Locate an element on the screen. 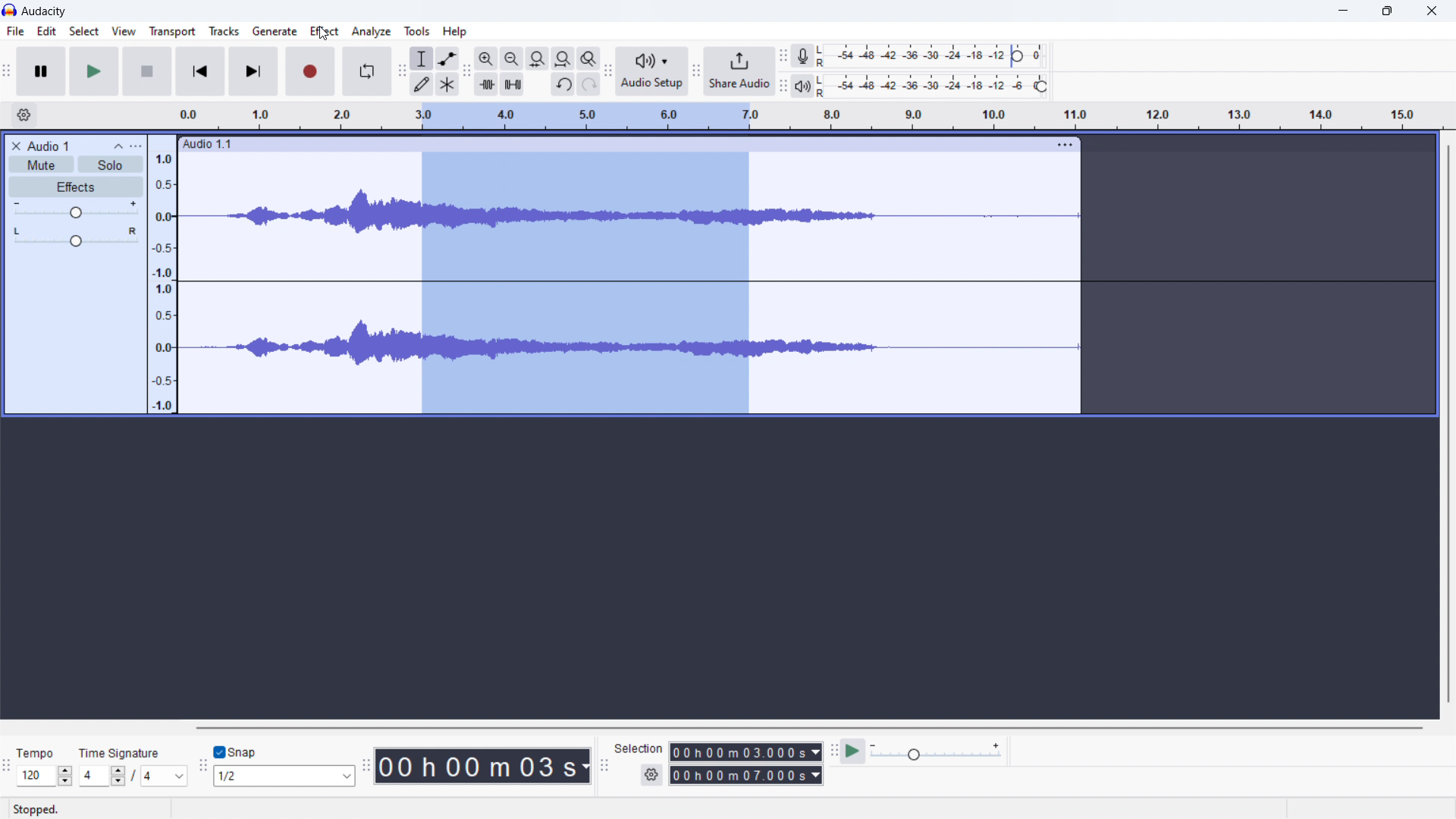 This screenshot has height=819, width=1456. logo is located at coordinates (11, 10).